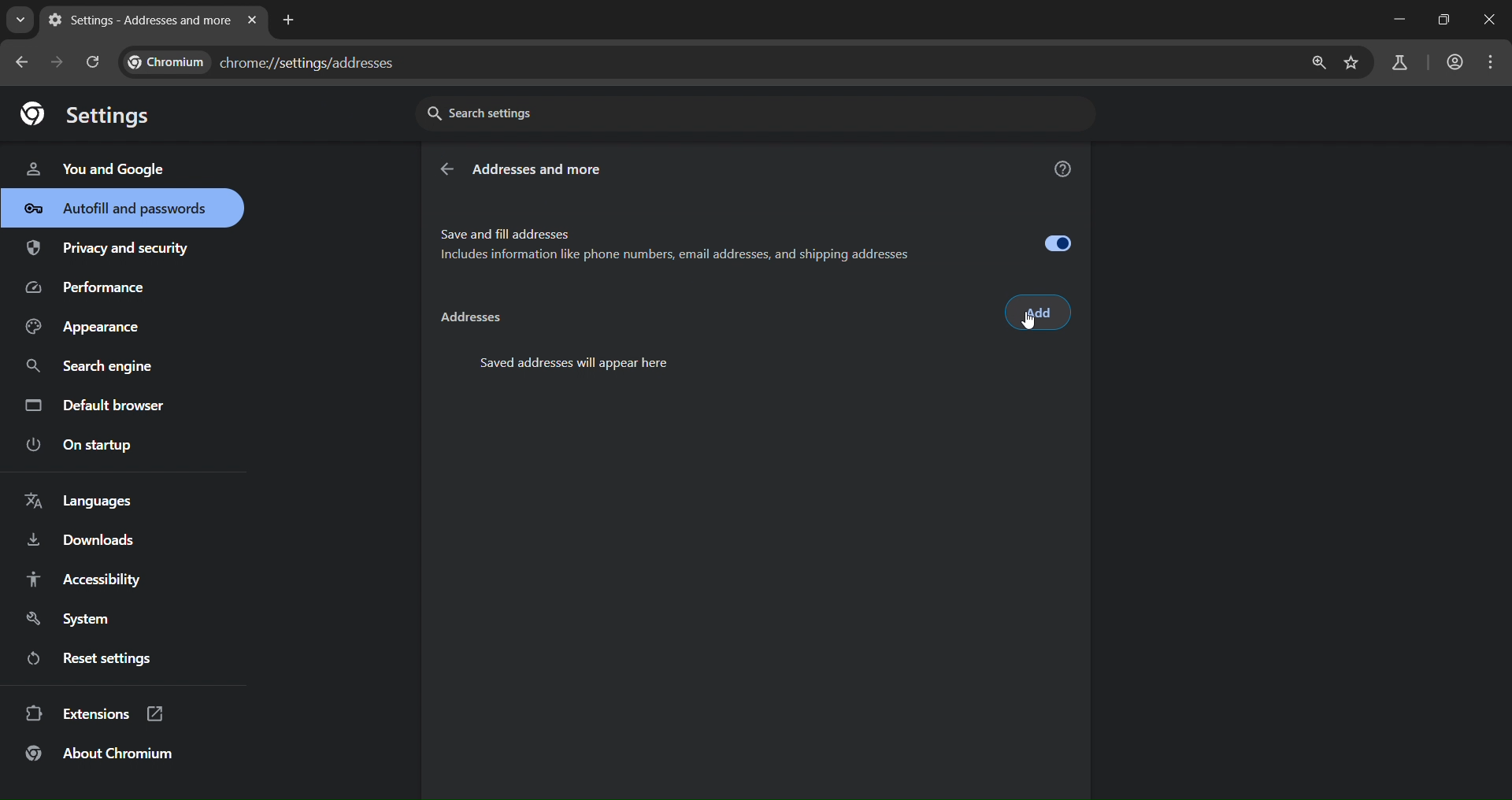 The width and height of the screenshot is (1512, 800). Describe the element at coordinates (94, 167) in the screenshot. I see `you and google ` at that location.